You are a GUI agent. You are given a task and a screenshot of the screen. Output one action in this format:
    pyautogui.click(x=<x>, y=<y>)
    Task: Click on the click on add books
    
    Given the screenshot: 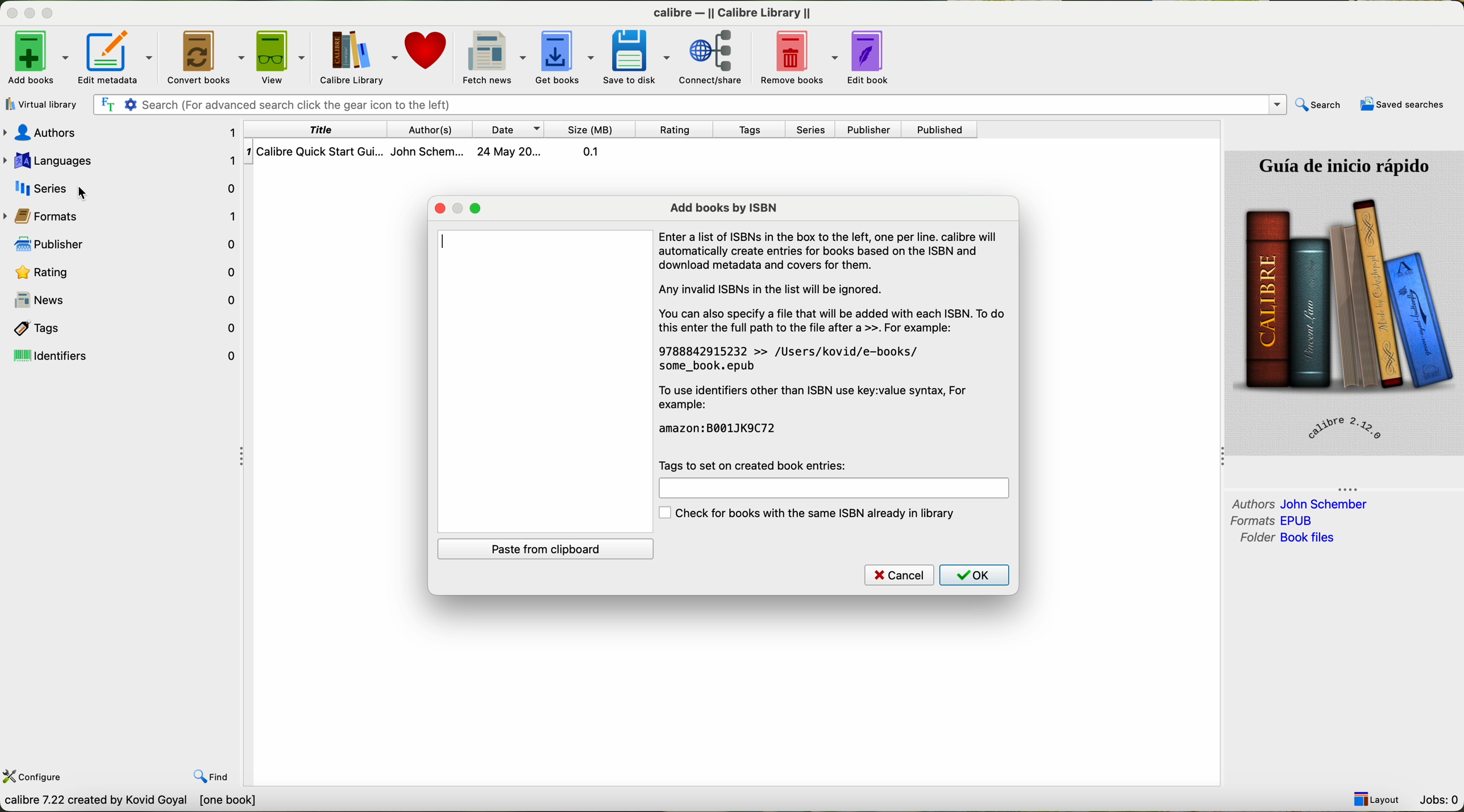 What is the action you would take?
    pyautogui.click(x=38, y=56)
    